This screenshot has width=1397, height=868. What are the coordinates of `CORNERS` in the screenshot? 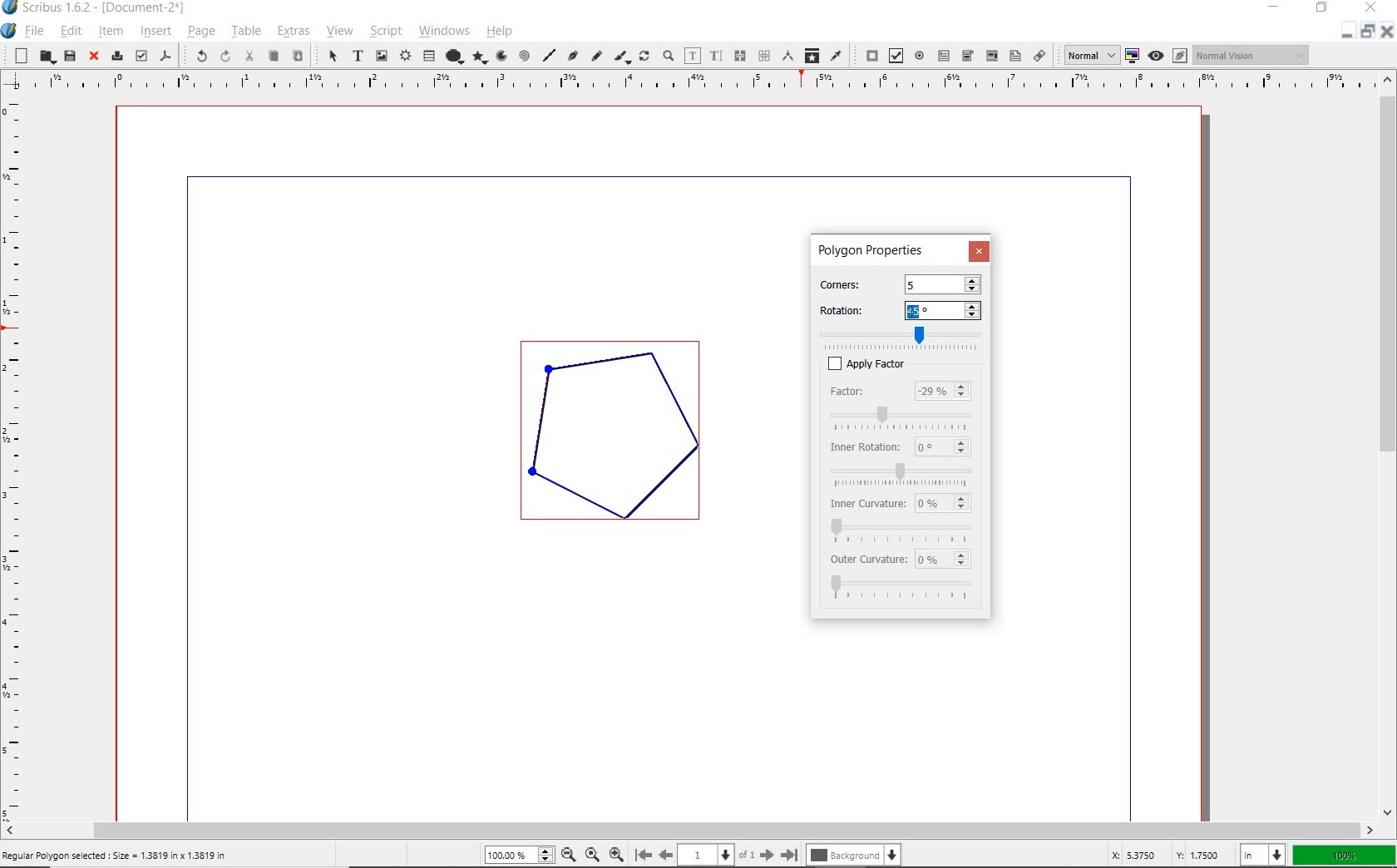 It's located at (852, 282).